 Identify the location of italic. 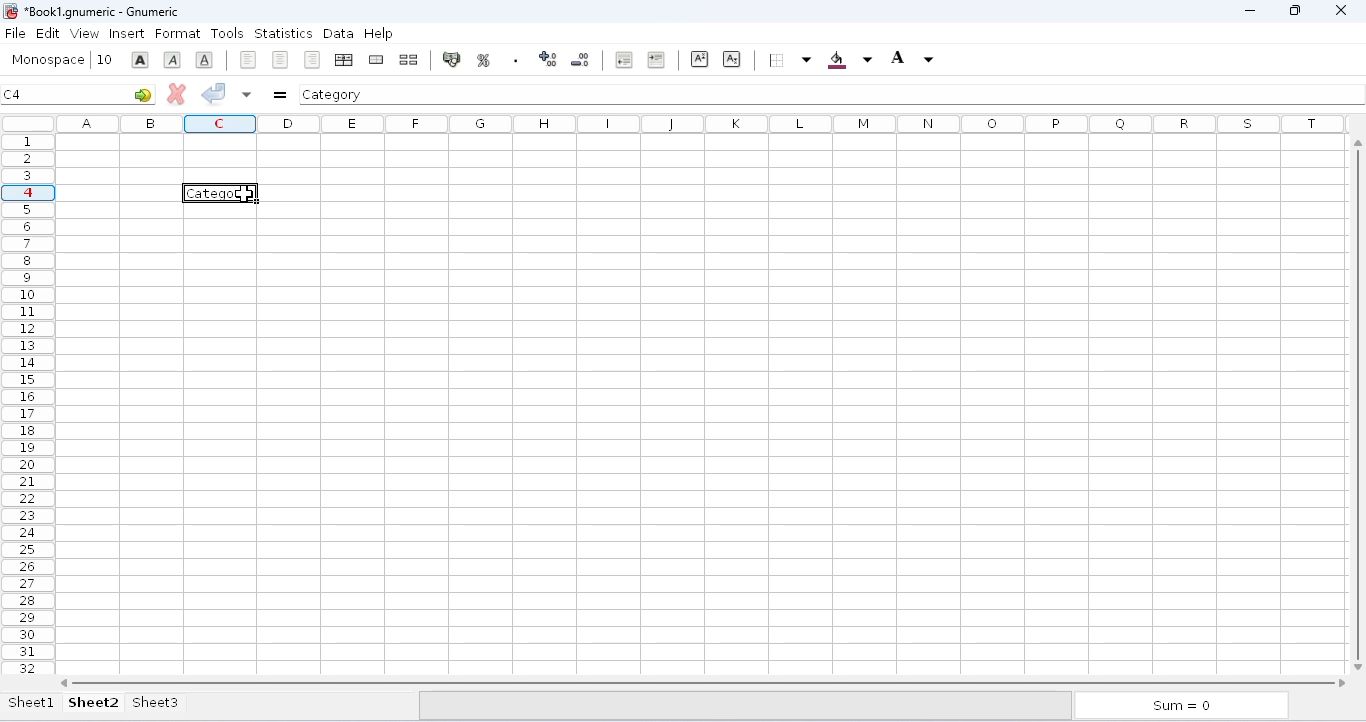
(172, 60).